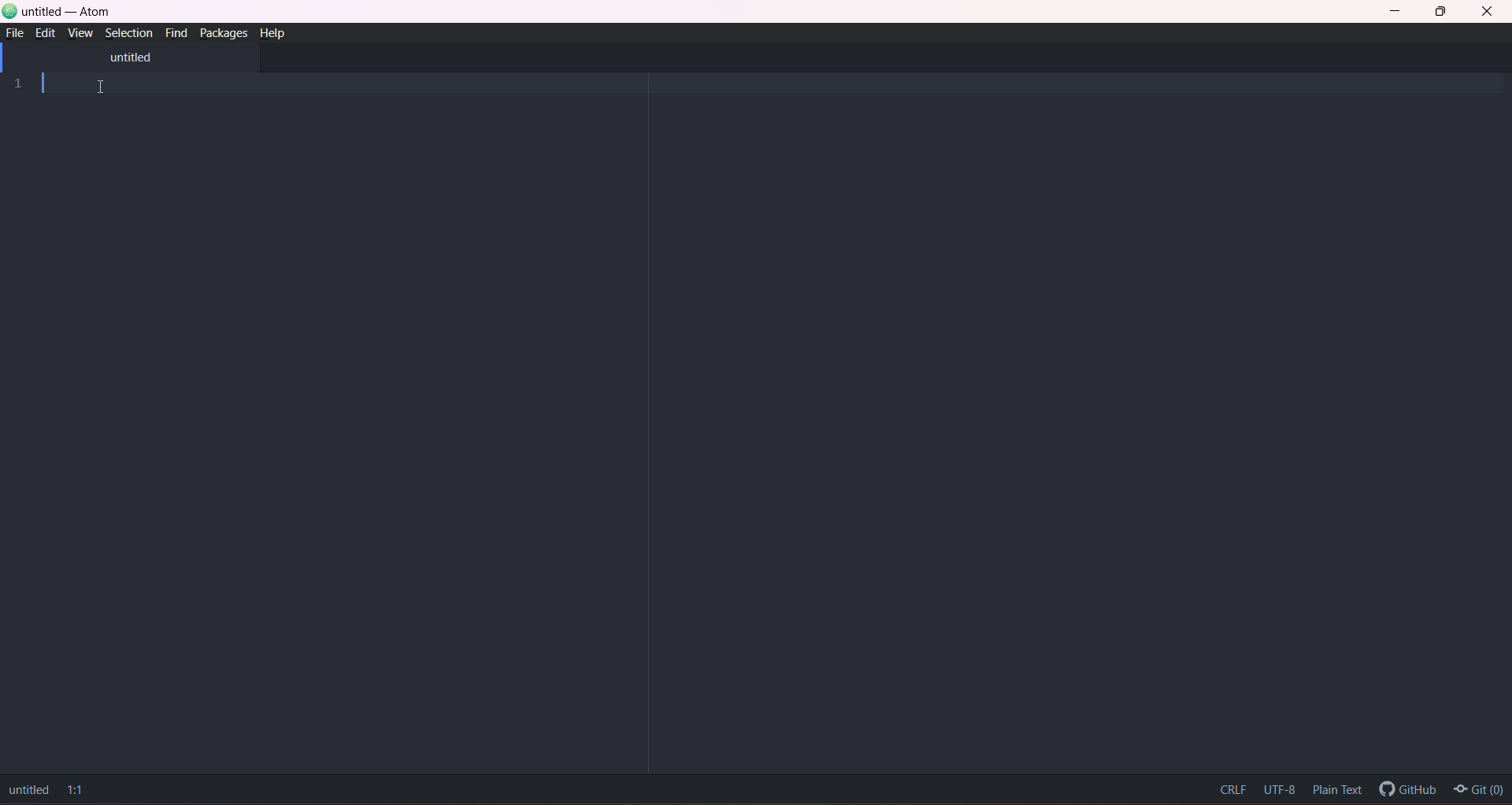 This screenshot has height=805, width=1512. What do you see at coordinates (1230, 786) in the screenshot?
I see `CRLF` at bounding box center [1230, 786].